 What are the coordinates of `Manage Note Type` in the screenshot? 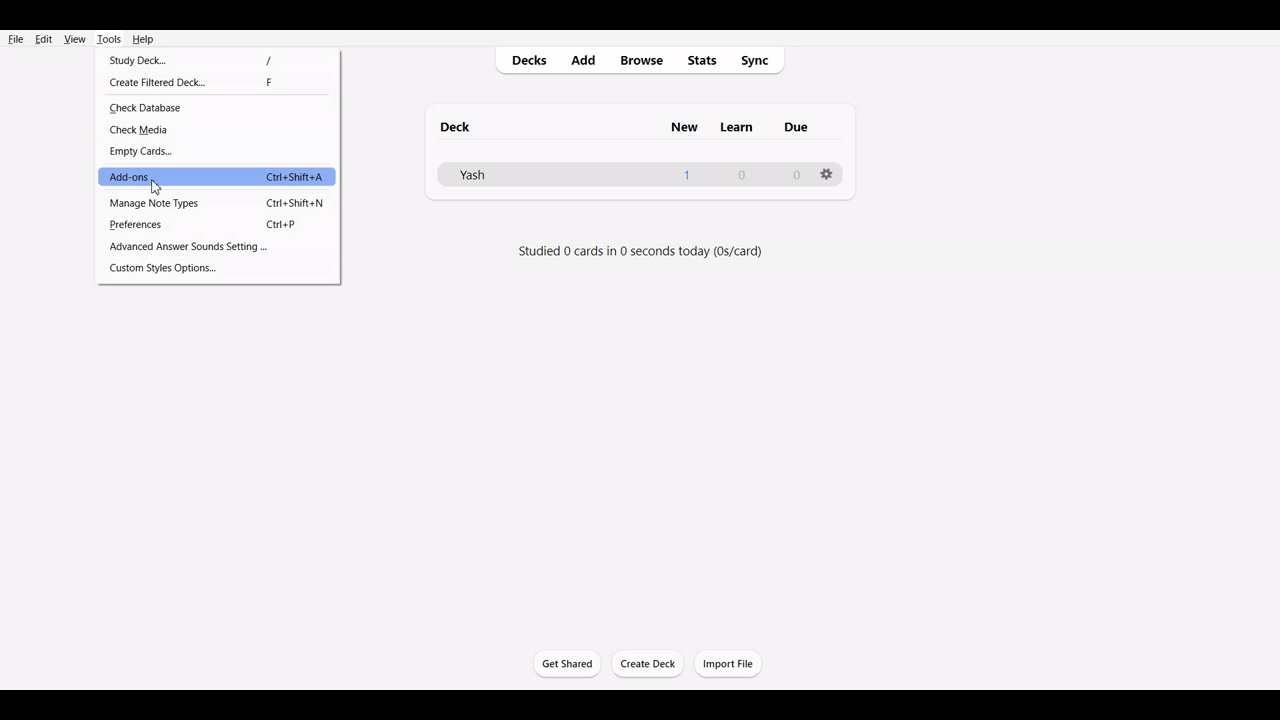 It's located at (218, 201).